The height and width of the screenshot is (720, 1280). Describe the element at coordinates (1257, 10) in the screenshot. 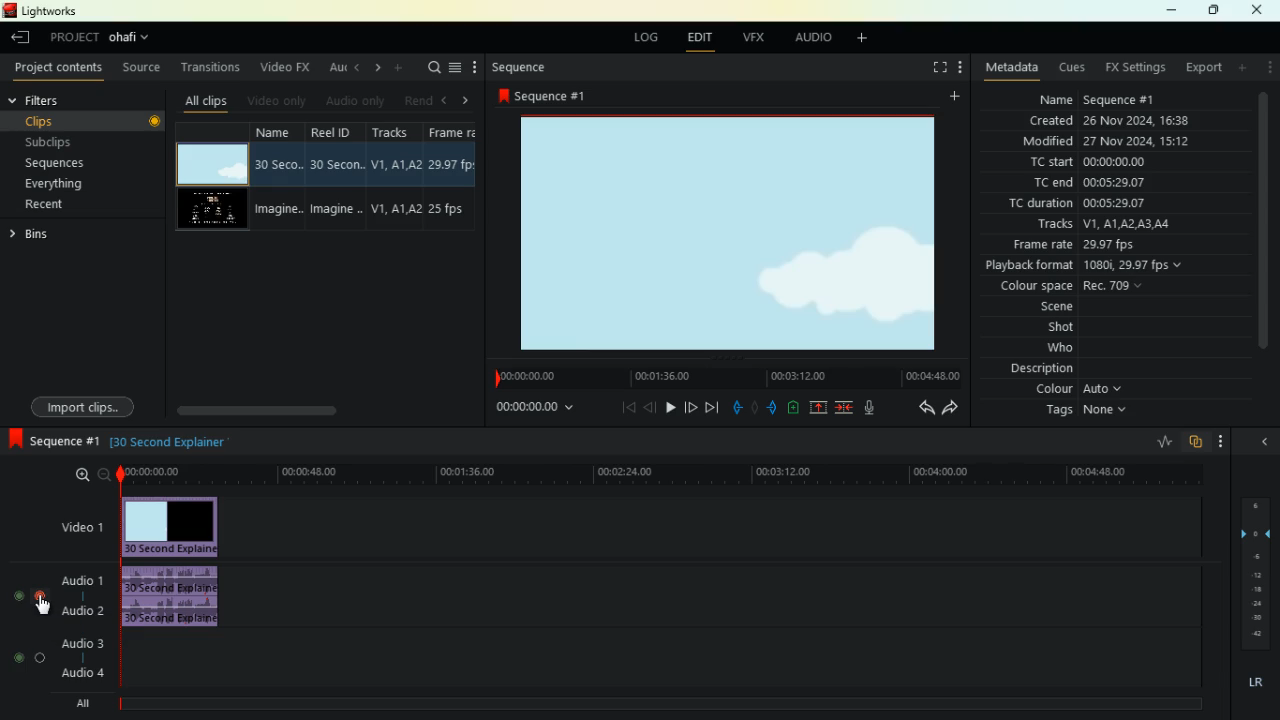

I see `close` at that location.